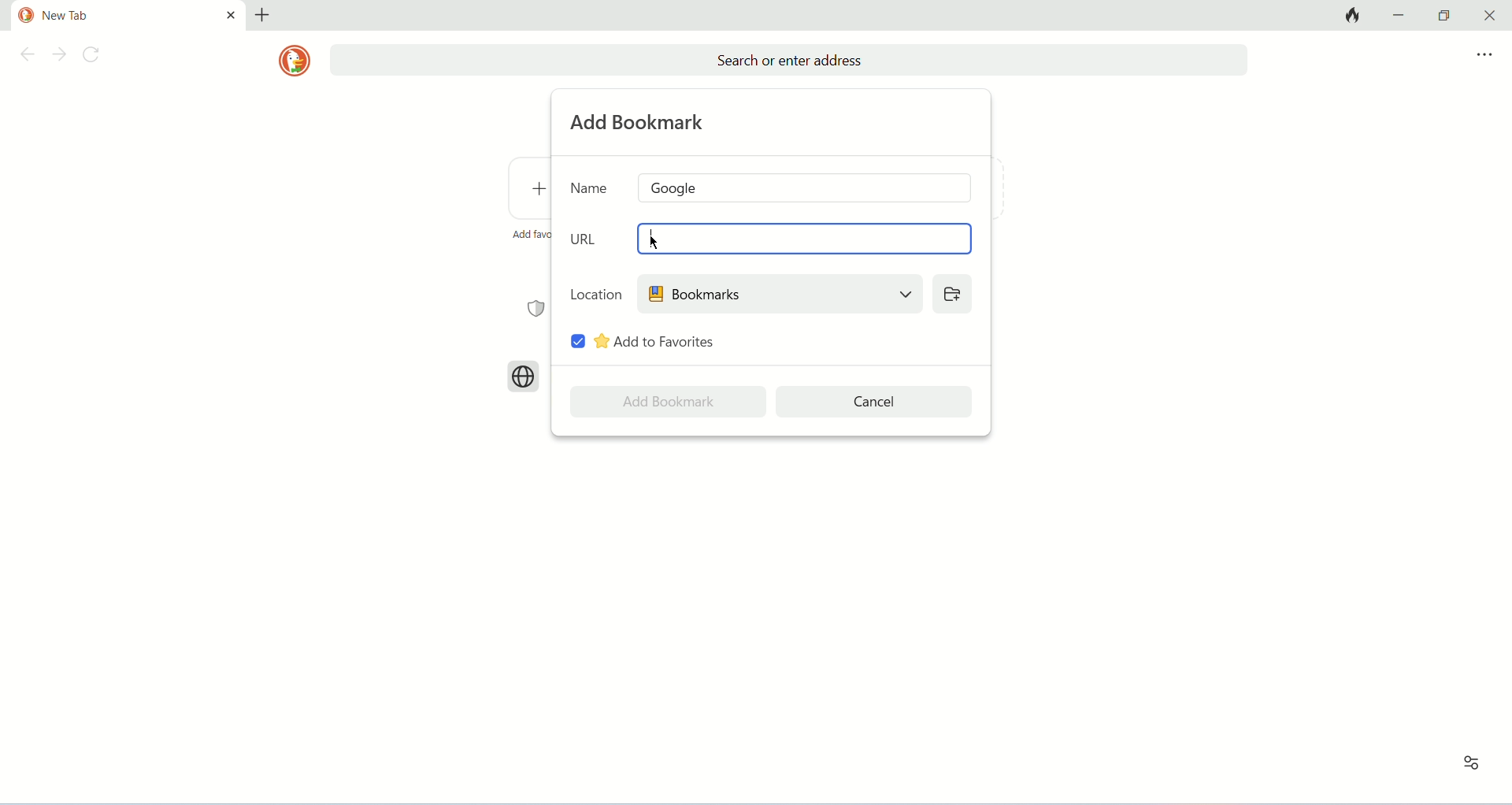 The width and height of the screenshot is (1512, 805). What do you see at coordinates (1444, 16) in the screenshot?
I see `maximize` at bounding box center [1444, 16].